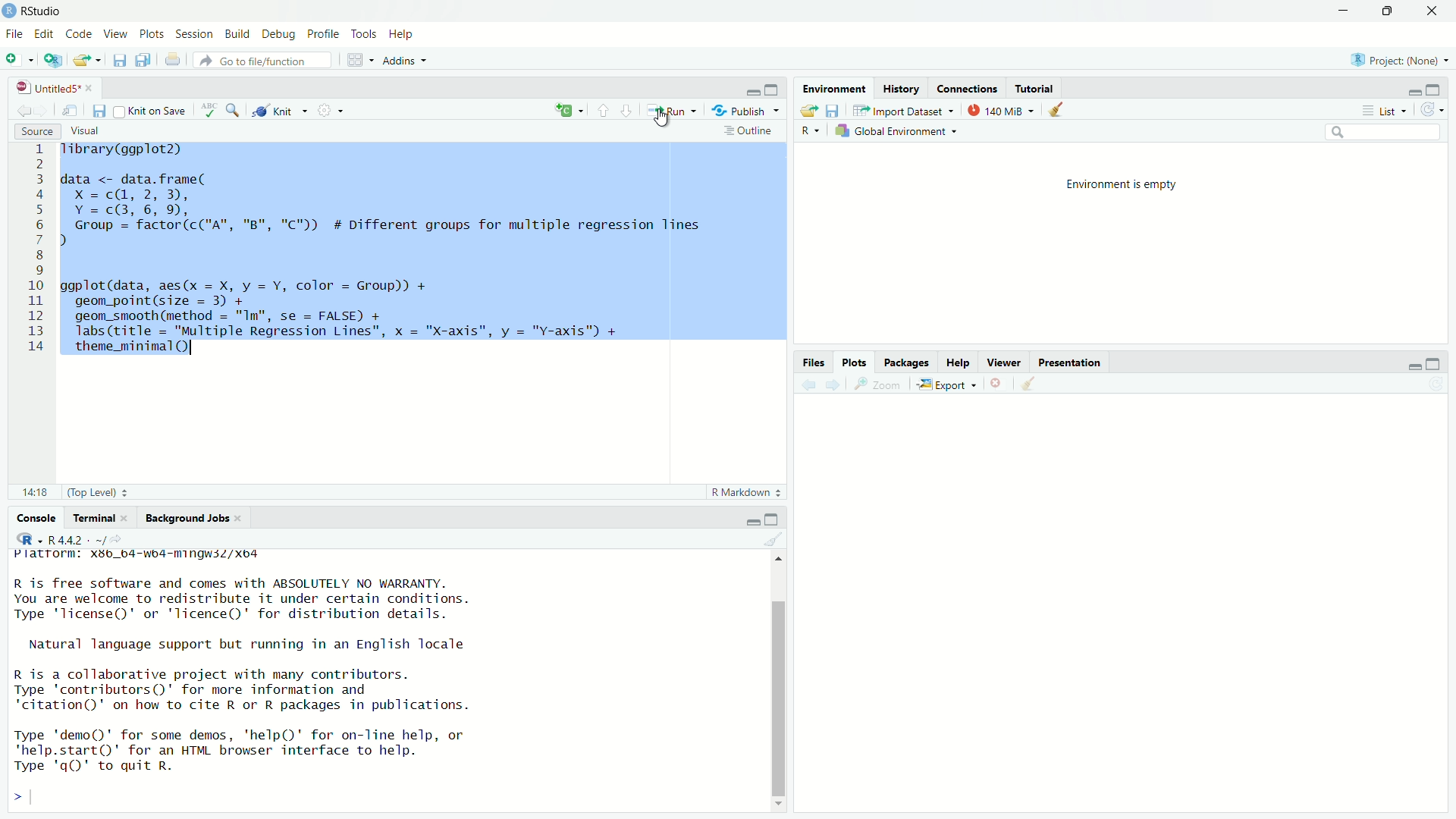 The image size is (1456, 819). I want to click on Visual, so click(95, 129).